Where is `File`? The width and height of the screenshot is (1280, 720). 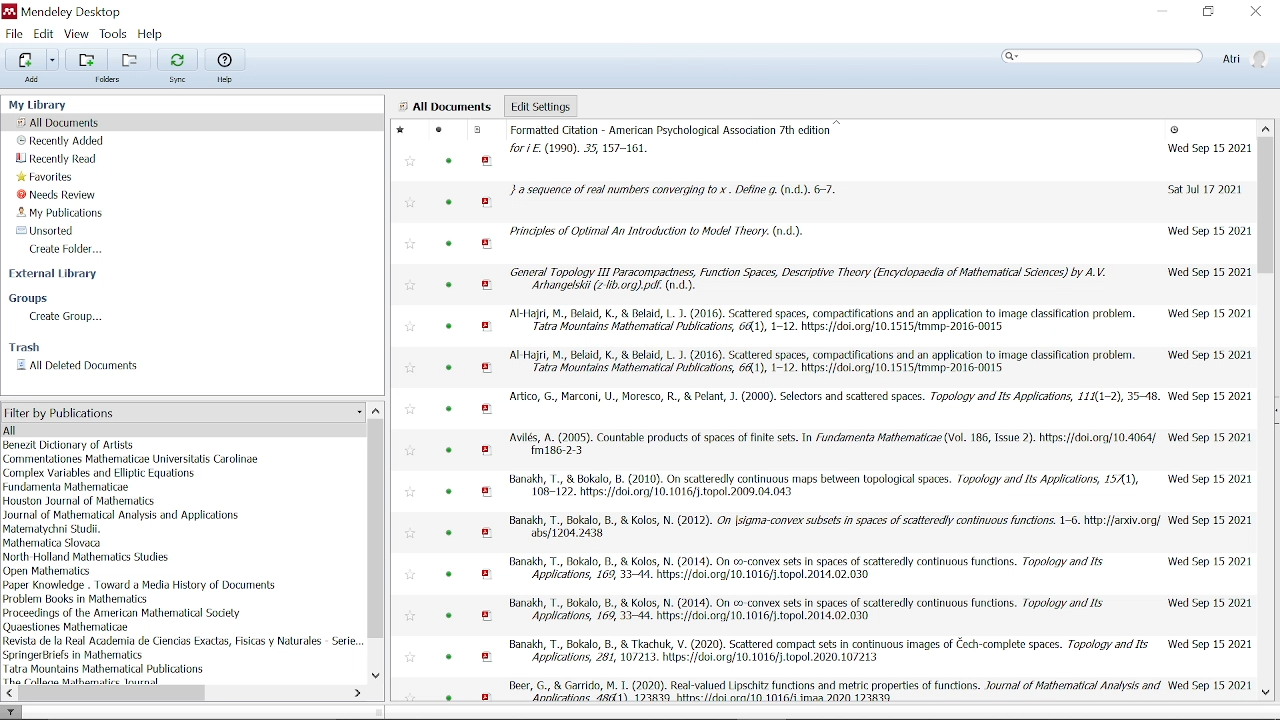
File is located at coordinates (15, 33).